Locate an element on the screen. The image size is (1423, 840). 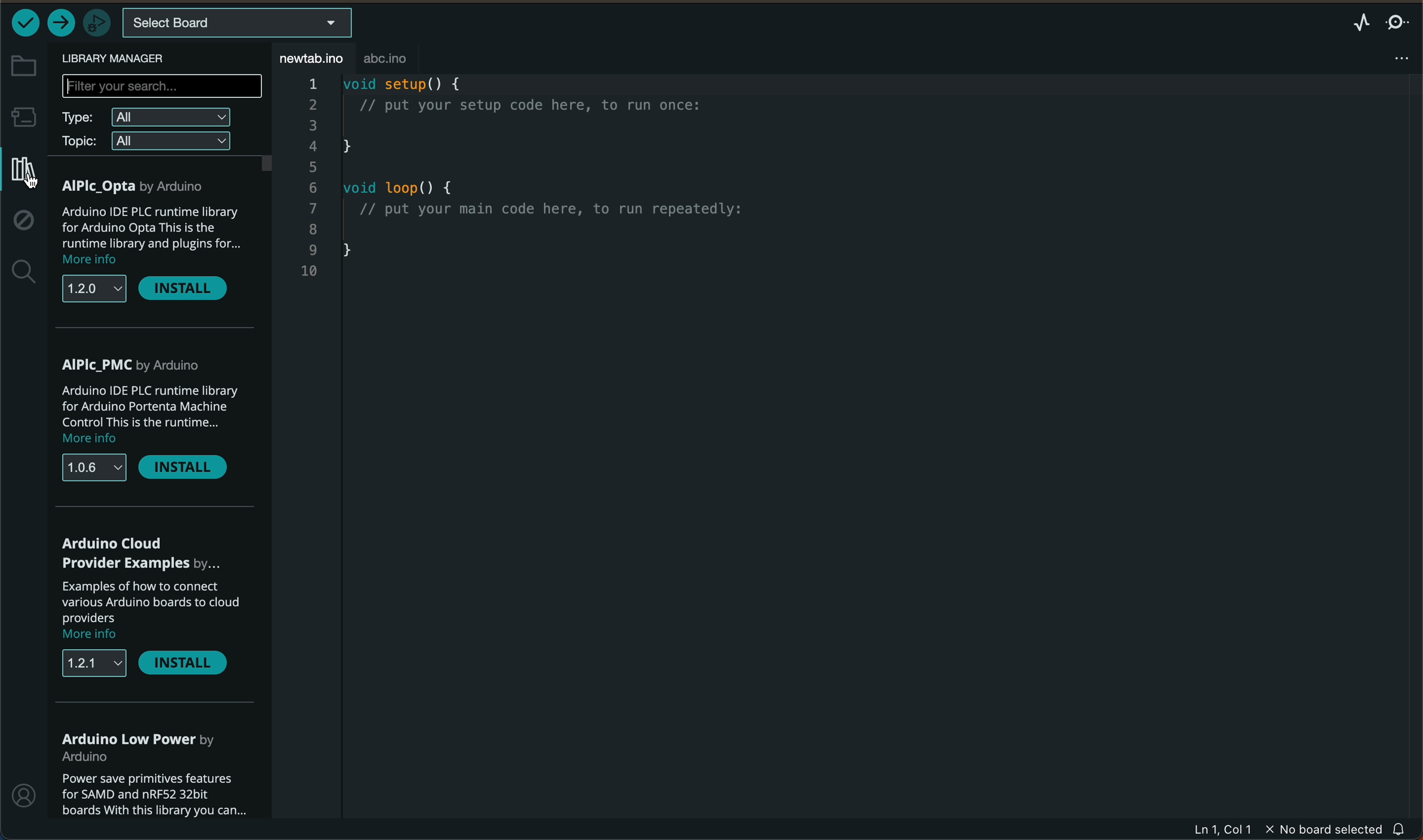
AlPc PMC is located at coordinates (136, 364).